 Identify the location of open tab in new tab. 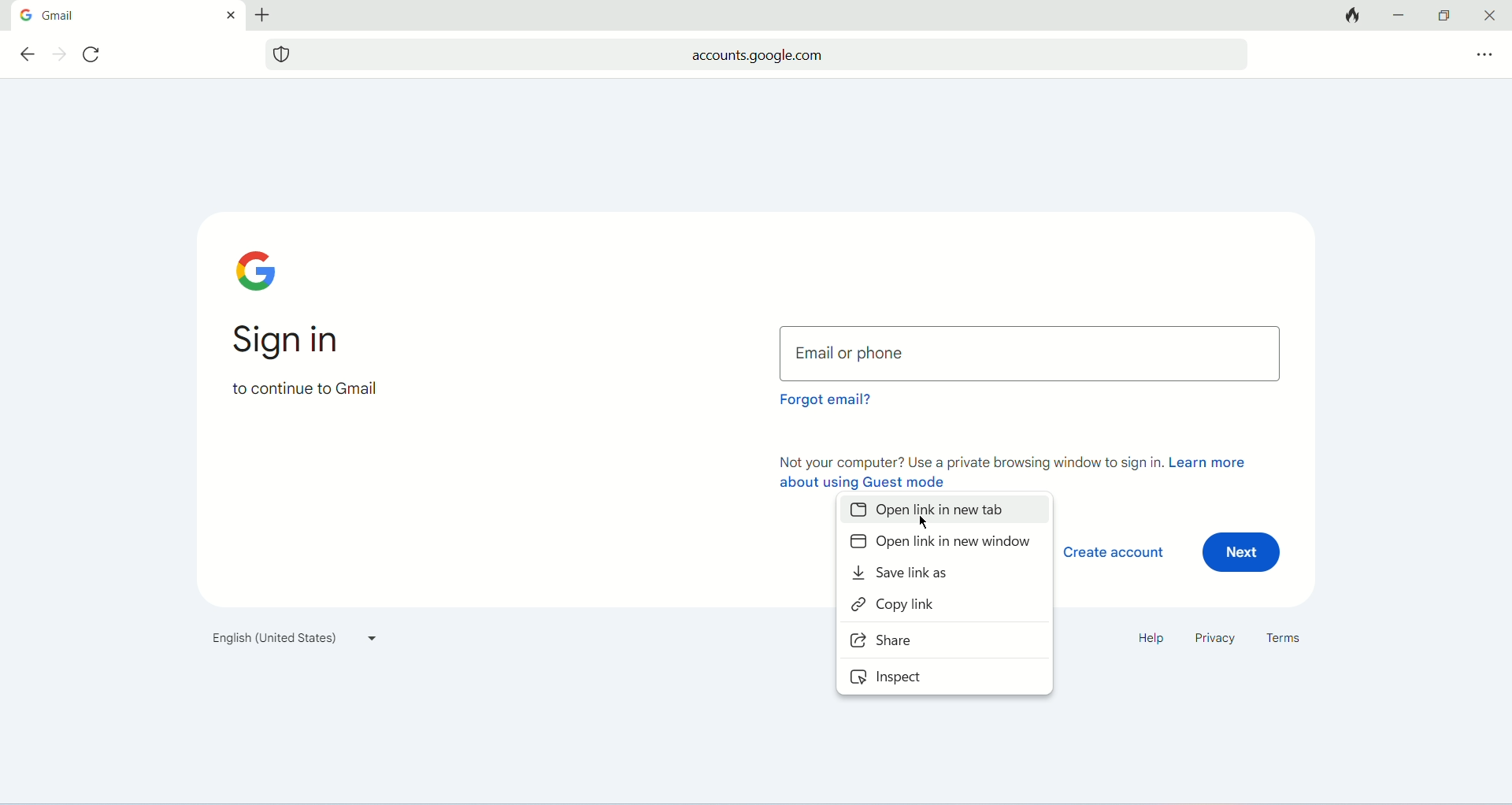
(947, 513).